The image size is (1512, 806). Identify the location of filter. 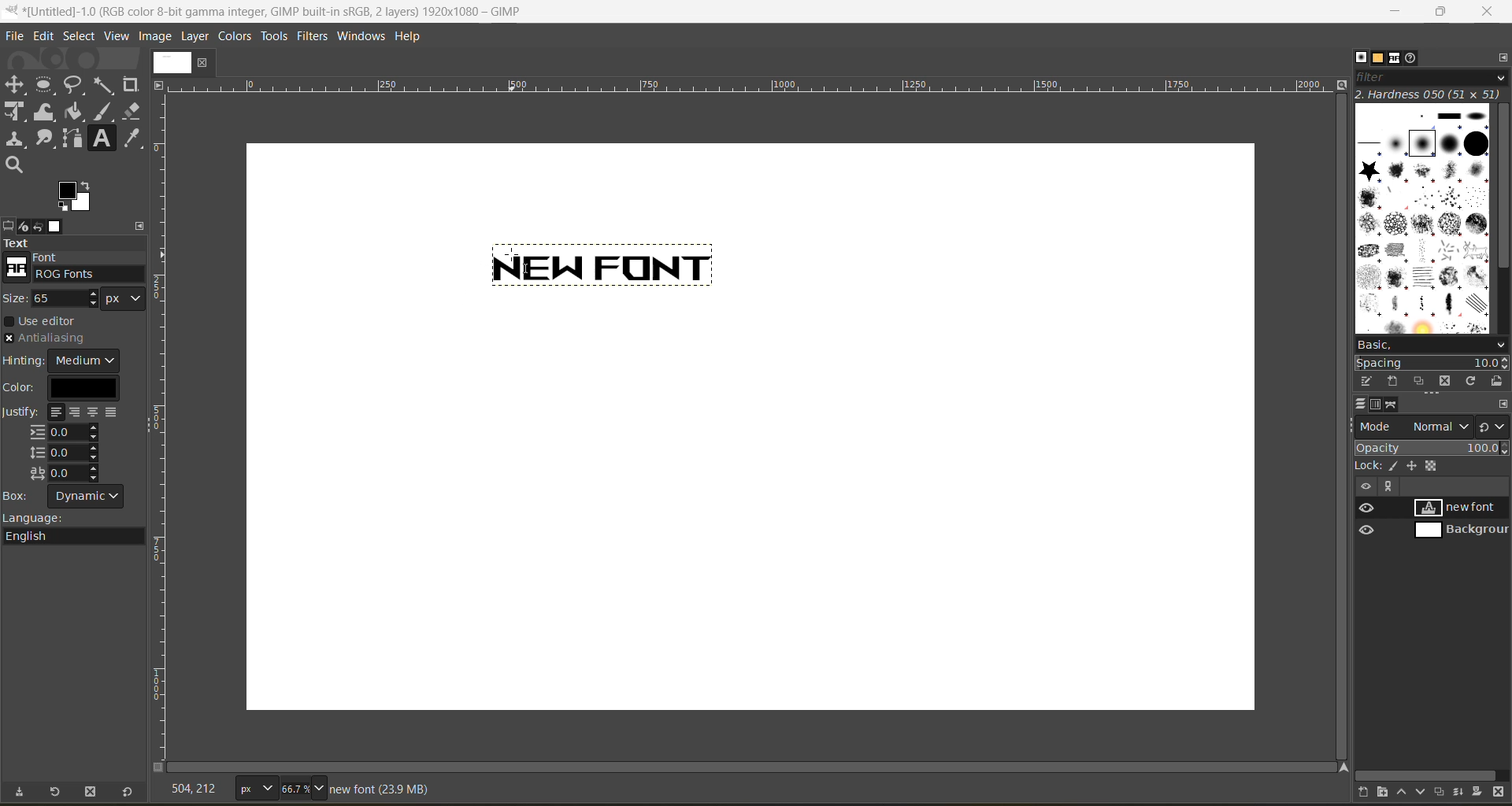
(1430, 81).